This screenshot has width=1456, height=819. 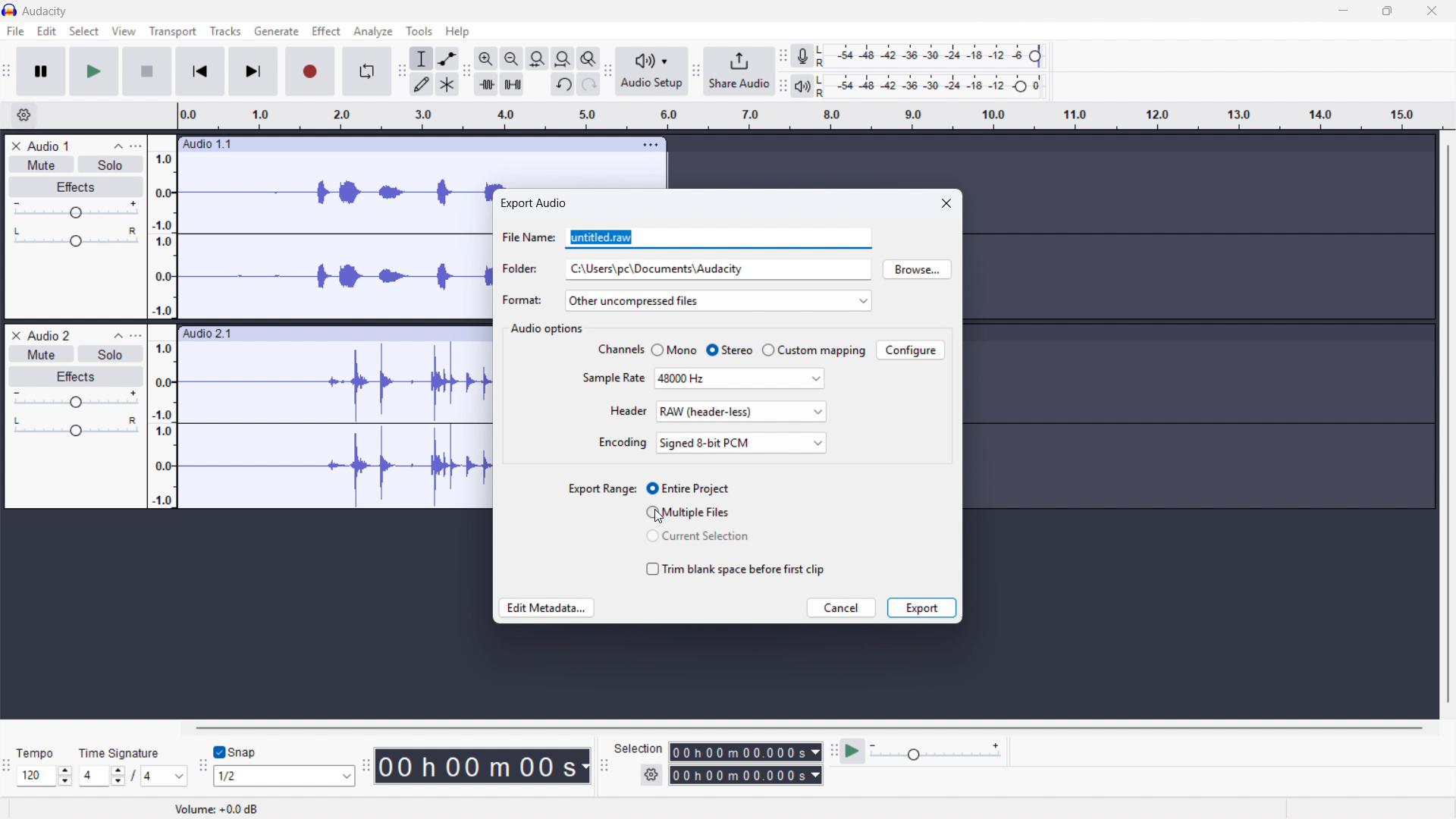 I want to click on Tracks  , so click(x=224, y=30).